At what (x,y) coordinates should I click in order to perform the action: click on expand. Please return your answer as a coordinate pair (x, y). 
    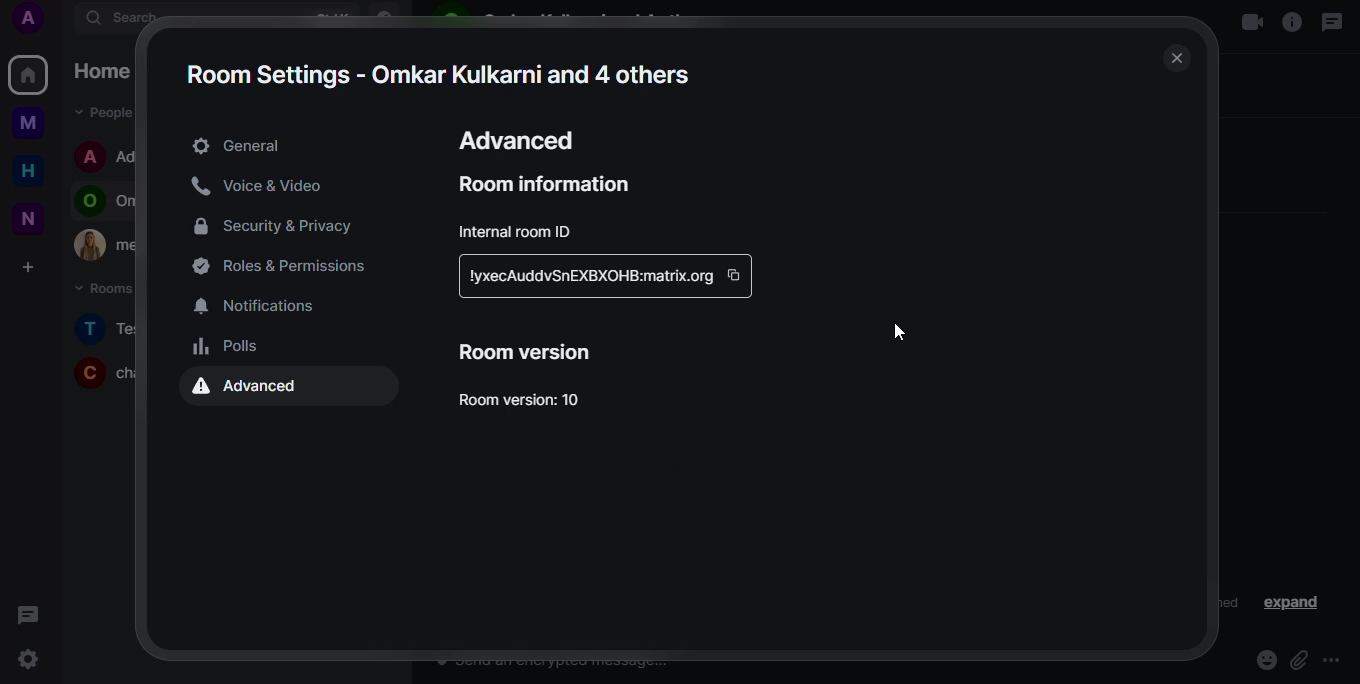
    Looking at the image, I should click on (1287, 603).